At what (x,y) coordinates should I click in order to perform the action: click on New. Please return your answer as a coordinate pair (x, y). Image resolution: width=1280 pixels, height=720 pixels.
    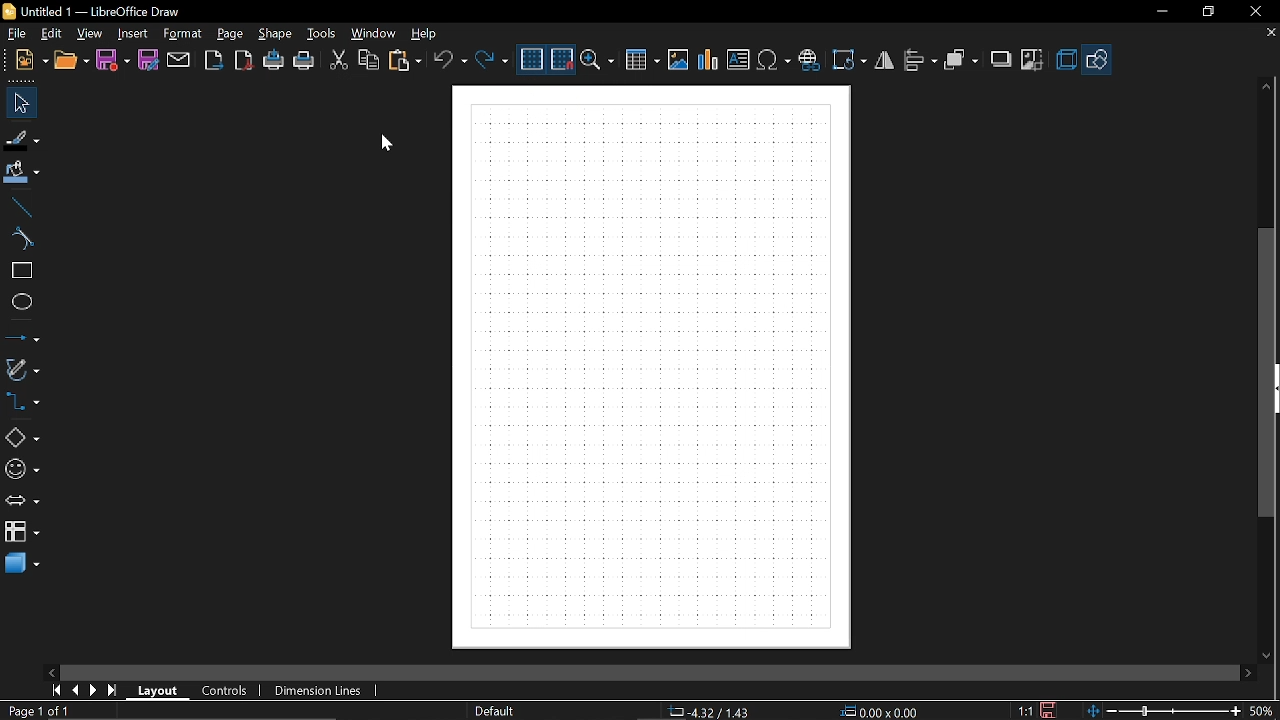
    Looking at the image, I should click on (29, 62).